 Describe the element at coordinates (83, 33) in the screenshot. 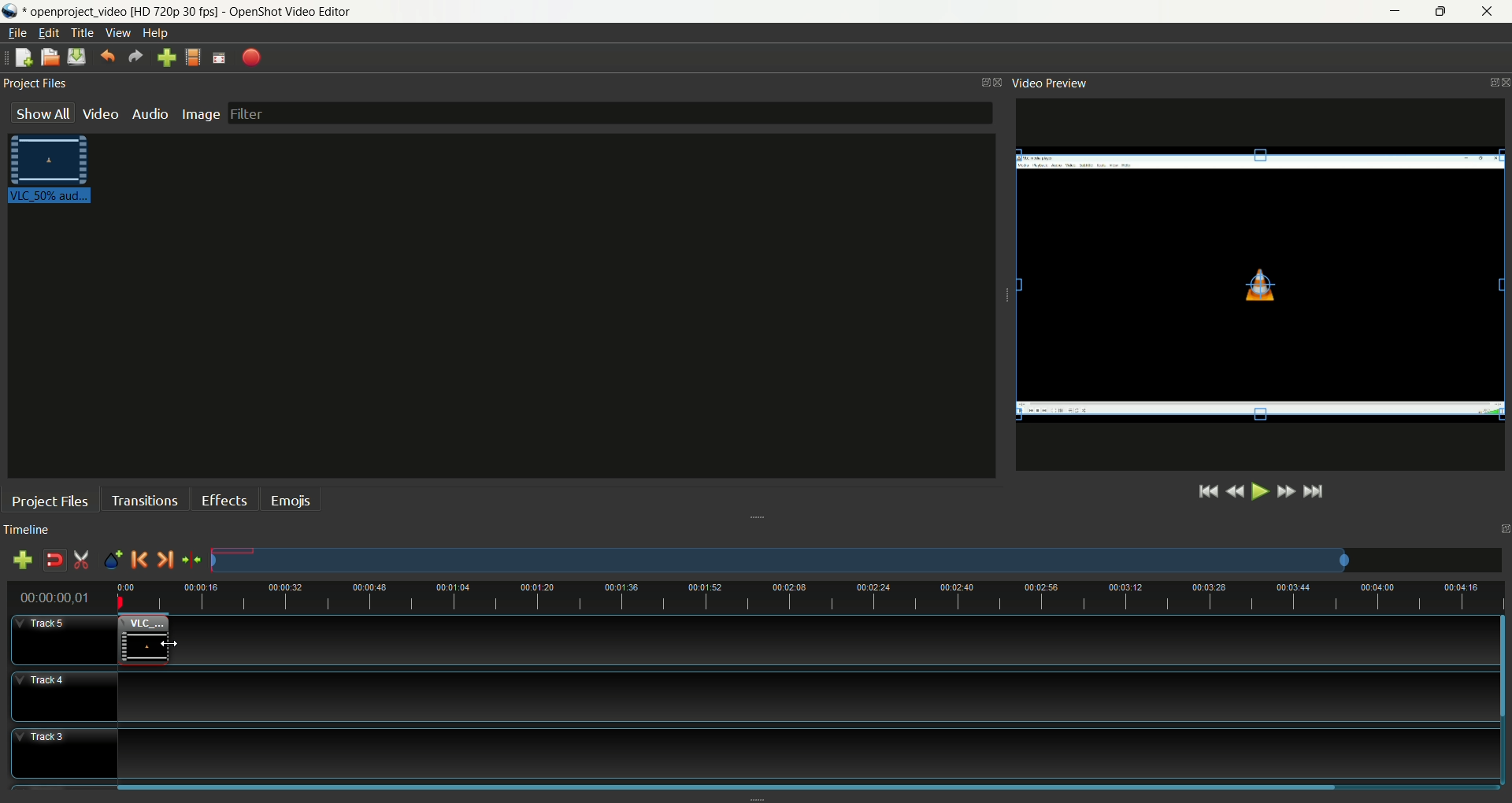

I see `title` at that location.